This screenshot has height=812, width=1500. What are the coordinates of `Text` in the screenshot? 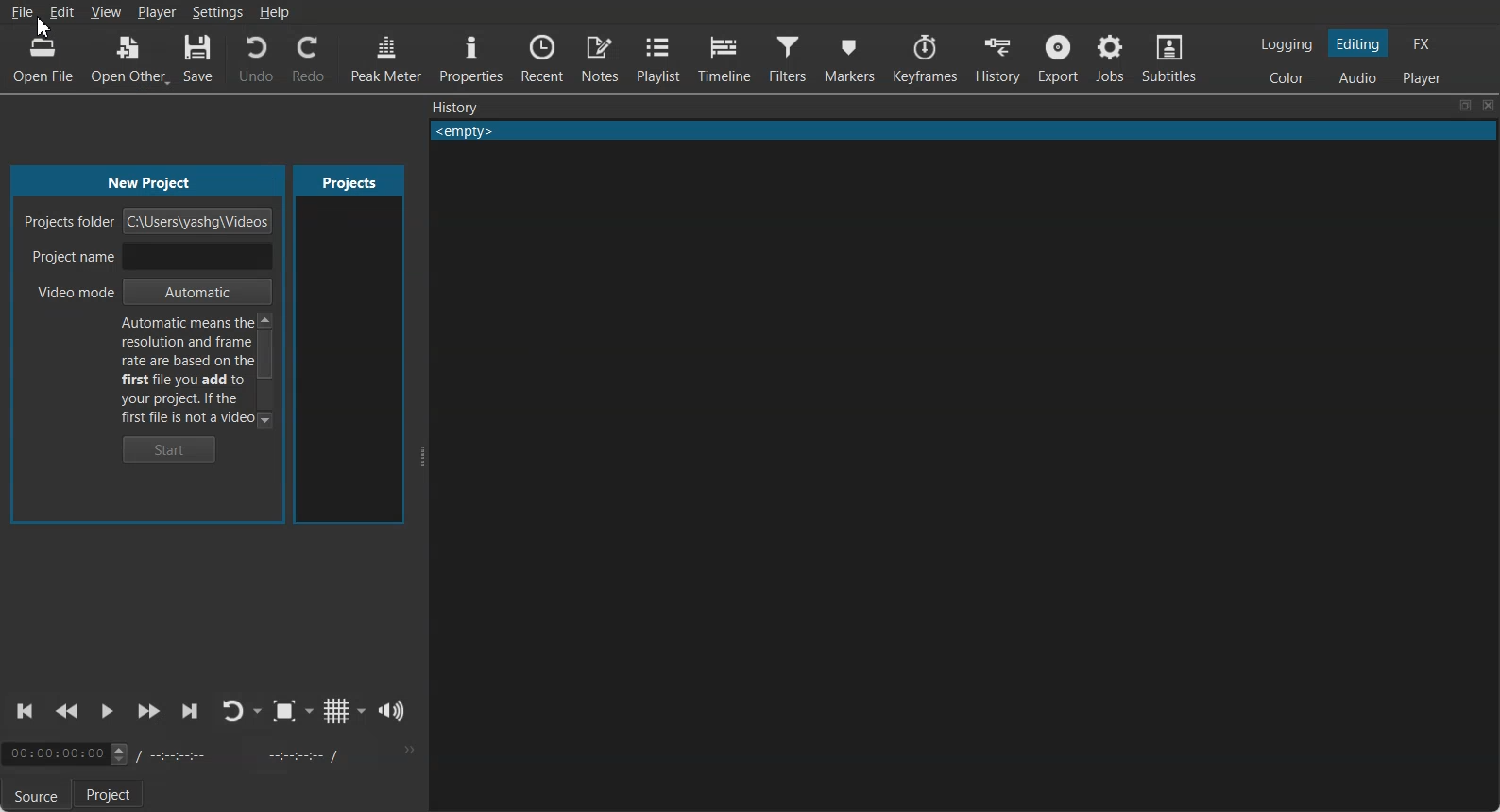 It's located at (455, 107).